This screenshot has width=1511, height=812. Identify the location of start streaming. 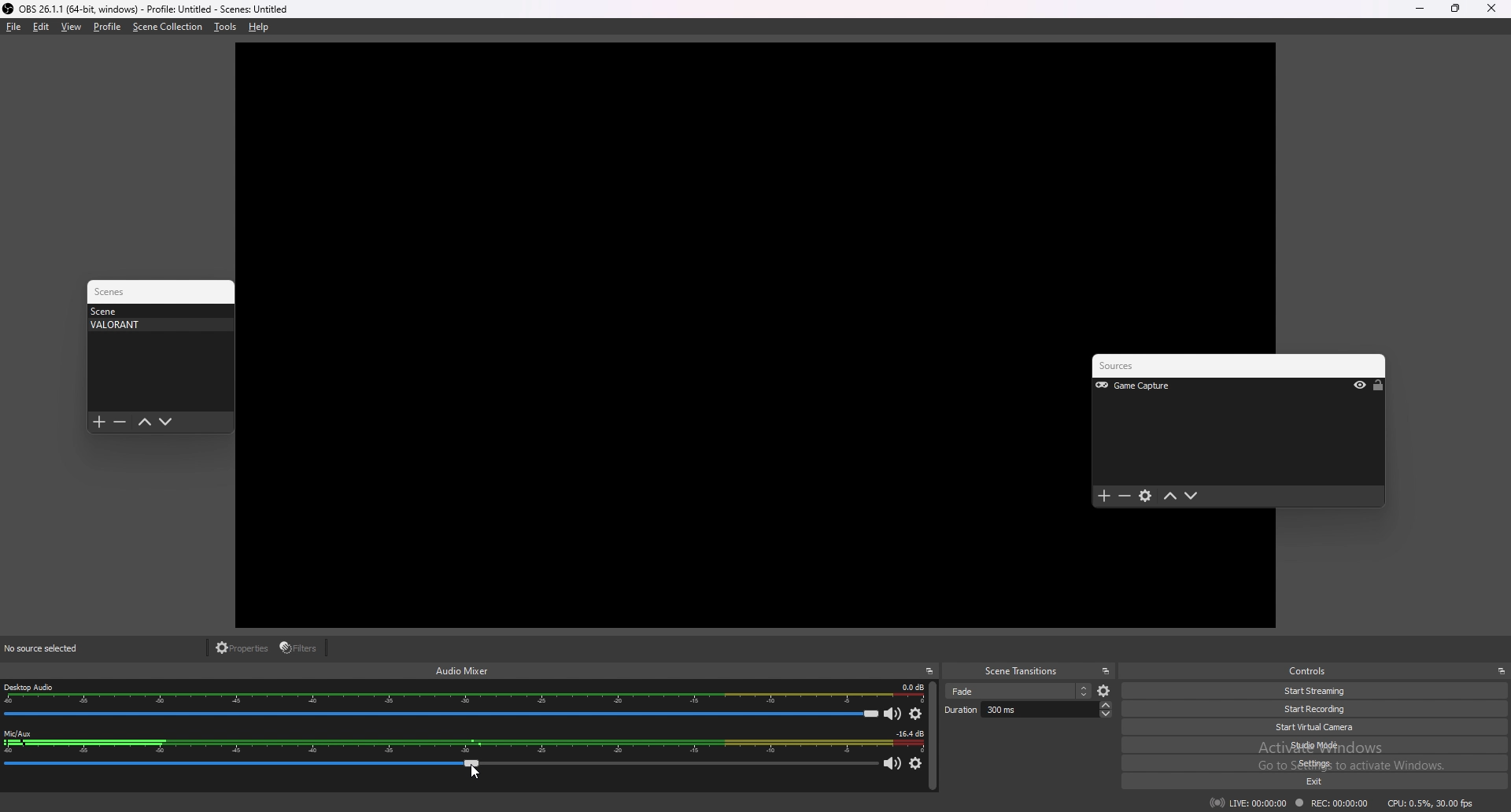
(1316, 692).